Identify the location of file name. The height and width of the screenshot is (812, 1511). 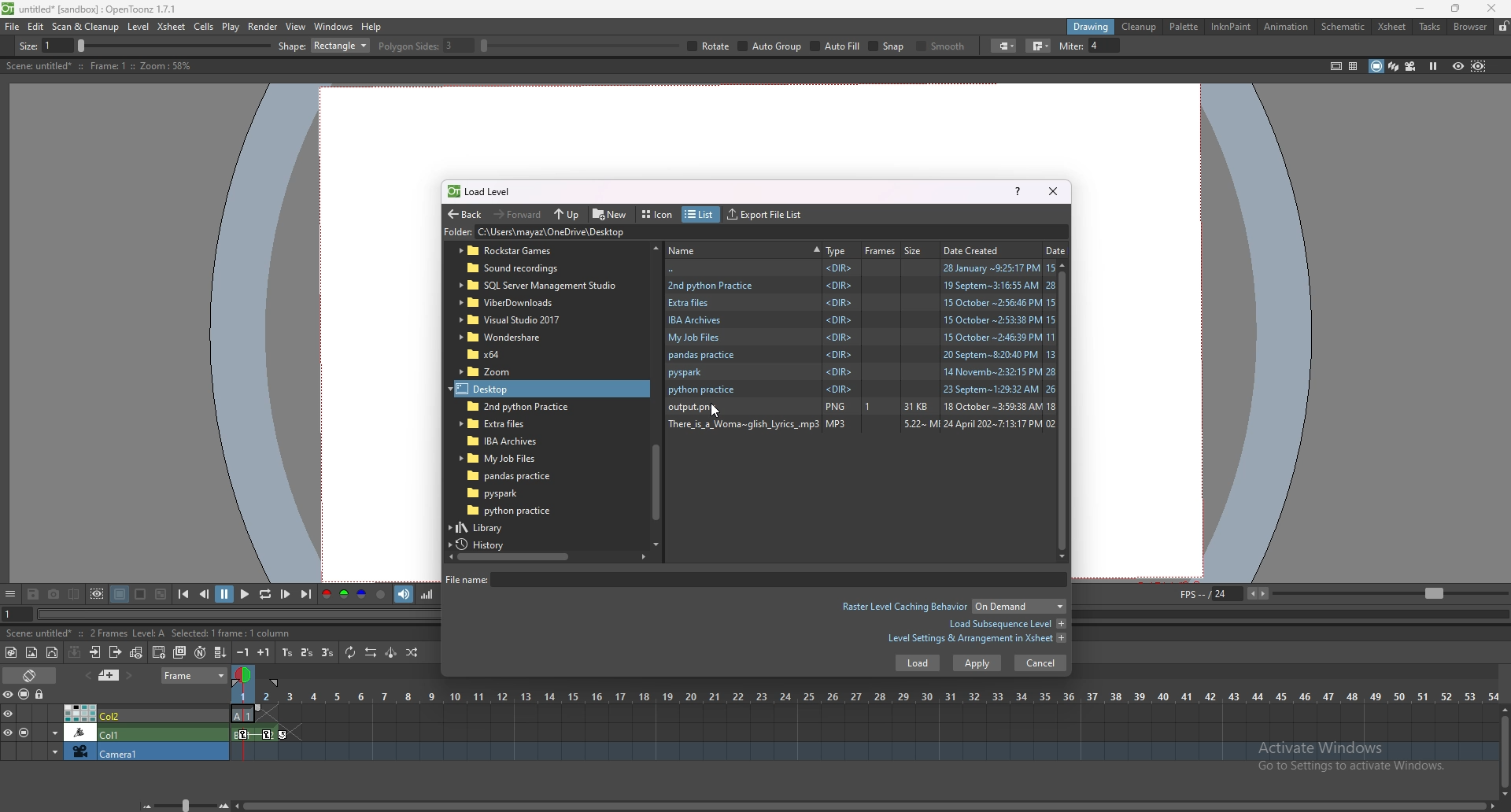
(753, 579).